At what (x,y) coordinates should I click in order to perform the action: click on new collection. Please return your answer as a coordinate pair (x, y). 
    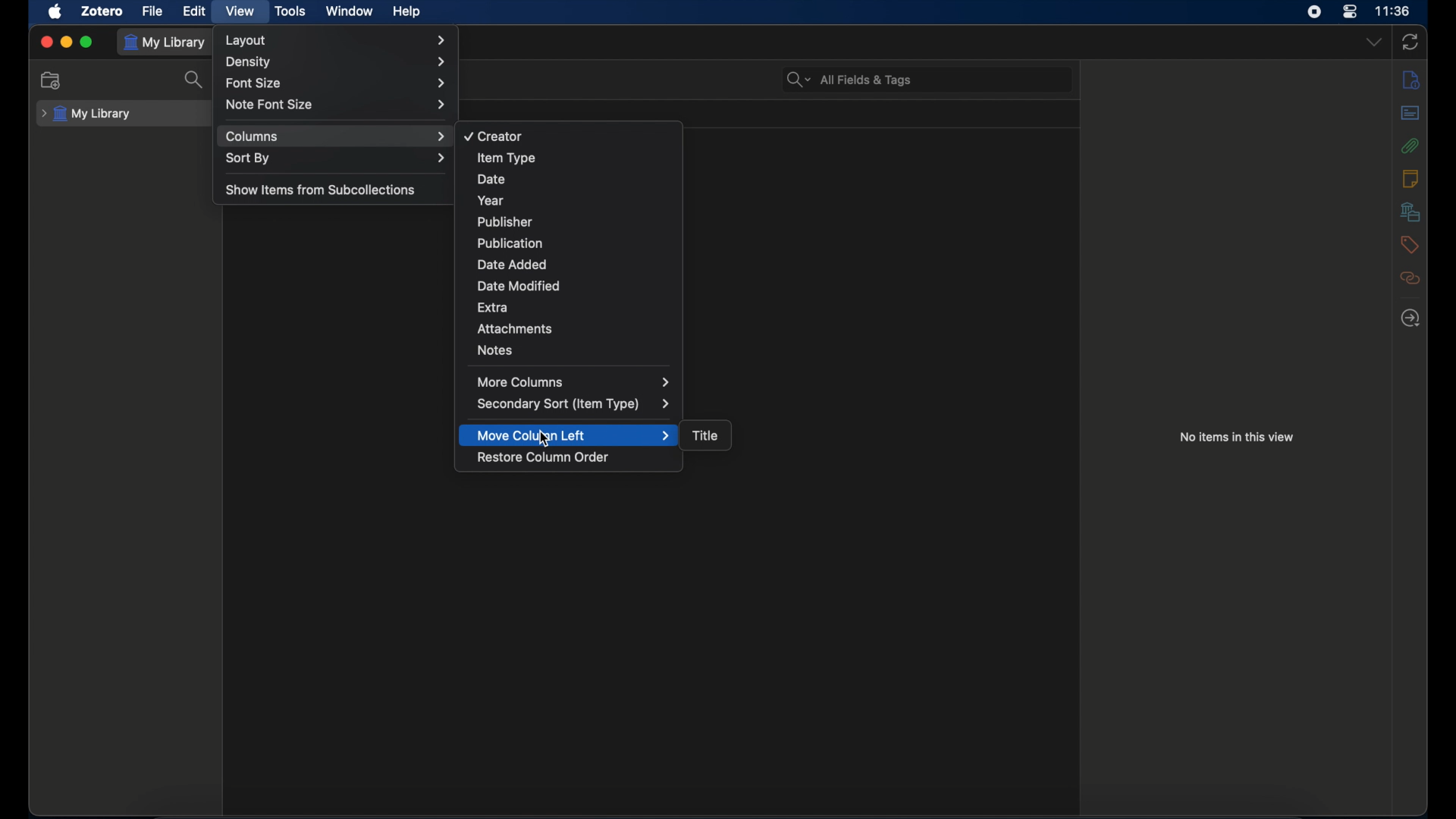
    Looking at the image, I should click on (53, 81).